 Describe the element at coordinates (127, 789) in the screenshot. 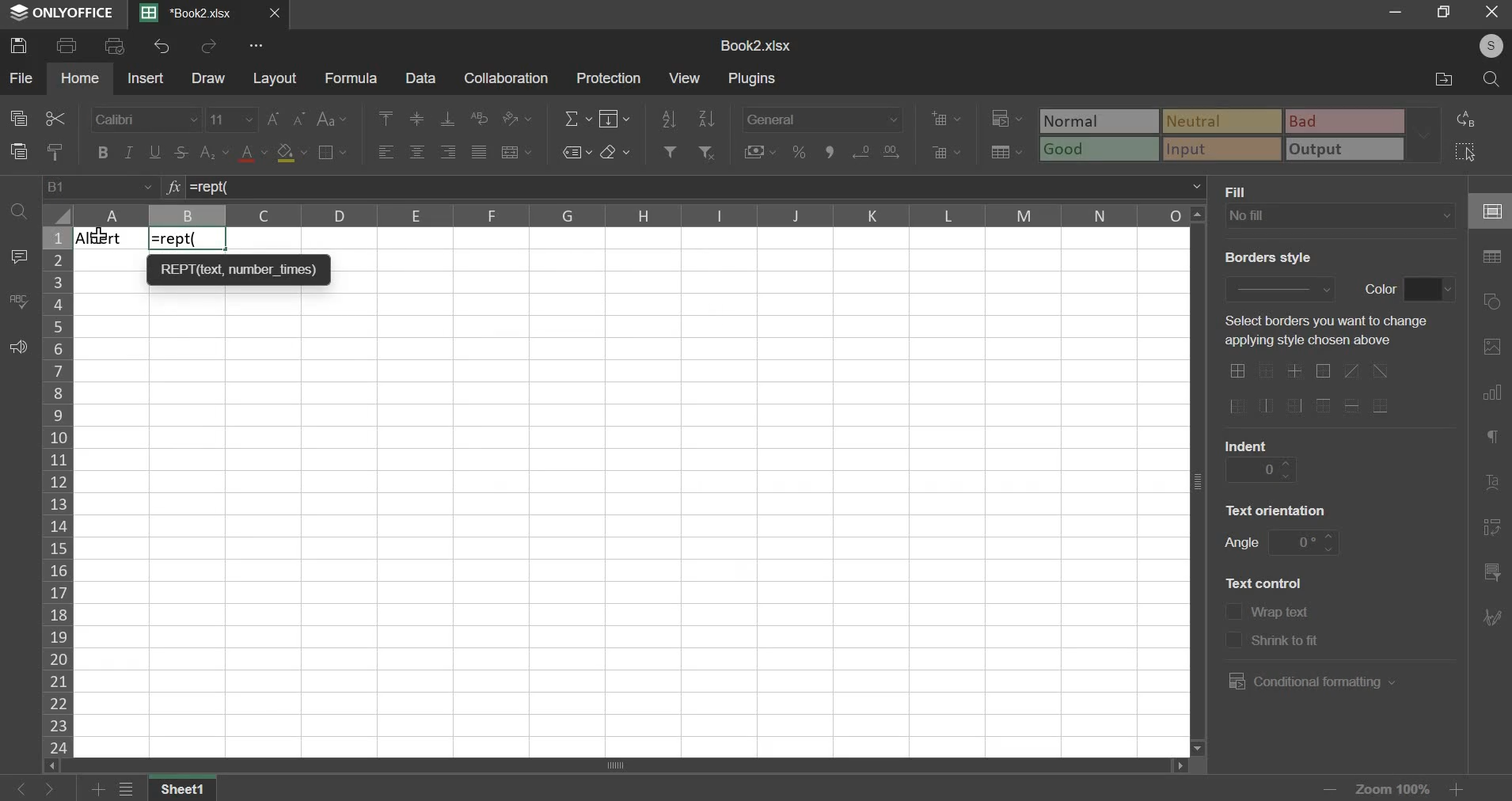

I see `file menu` at that location.